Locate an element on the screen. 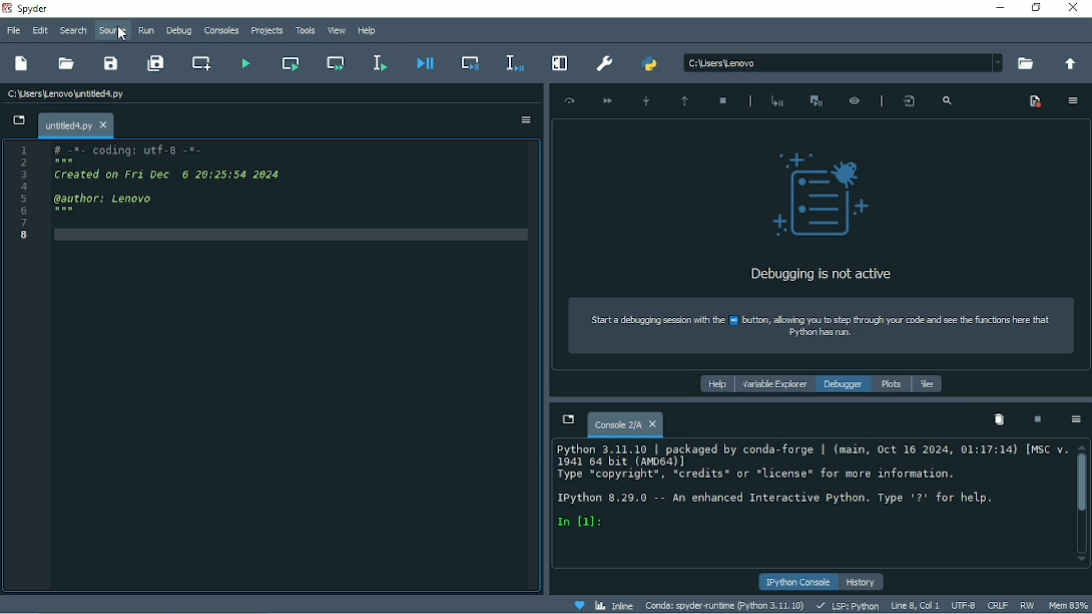 This screenshot has width=1092, height=614. Serial number is located at coordinates (26, 194).